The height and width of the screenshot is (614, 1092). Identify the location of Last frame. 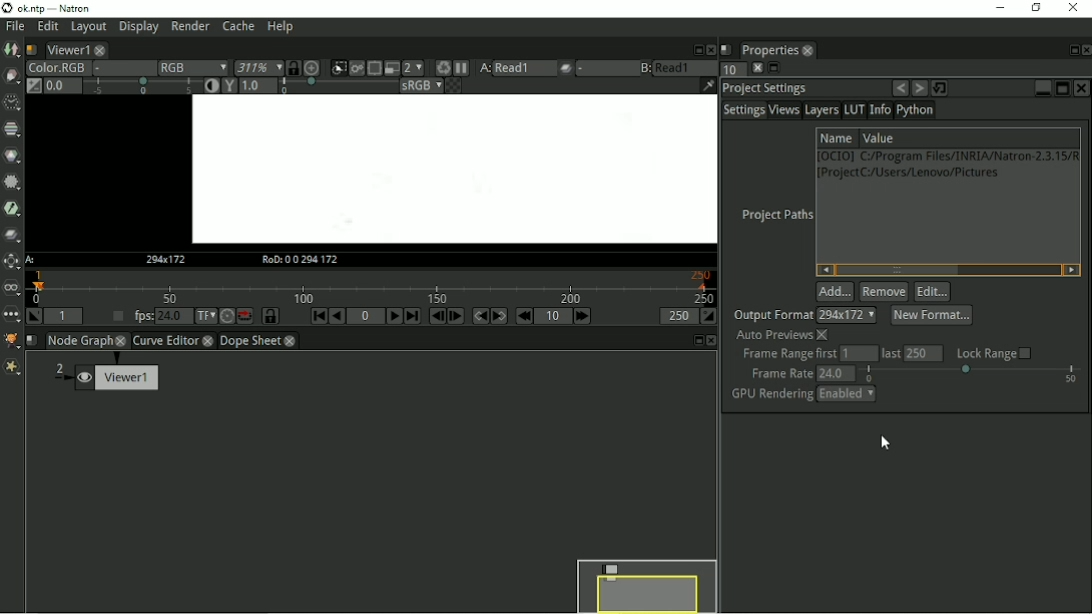
(414, 317).